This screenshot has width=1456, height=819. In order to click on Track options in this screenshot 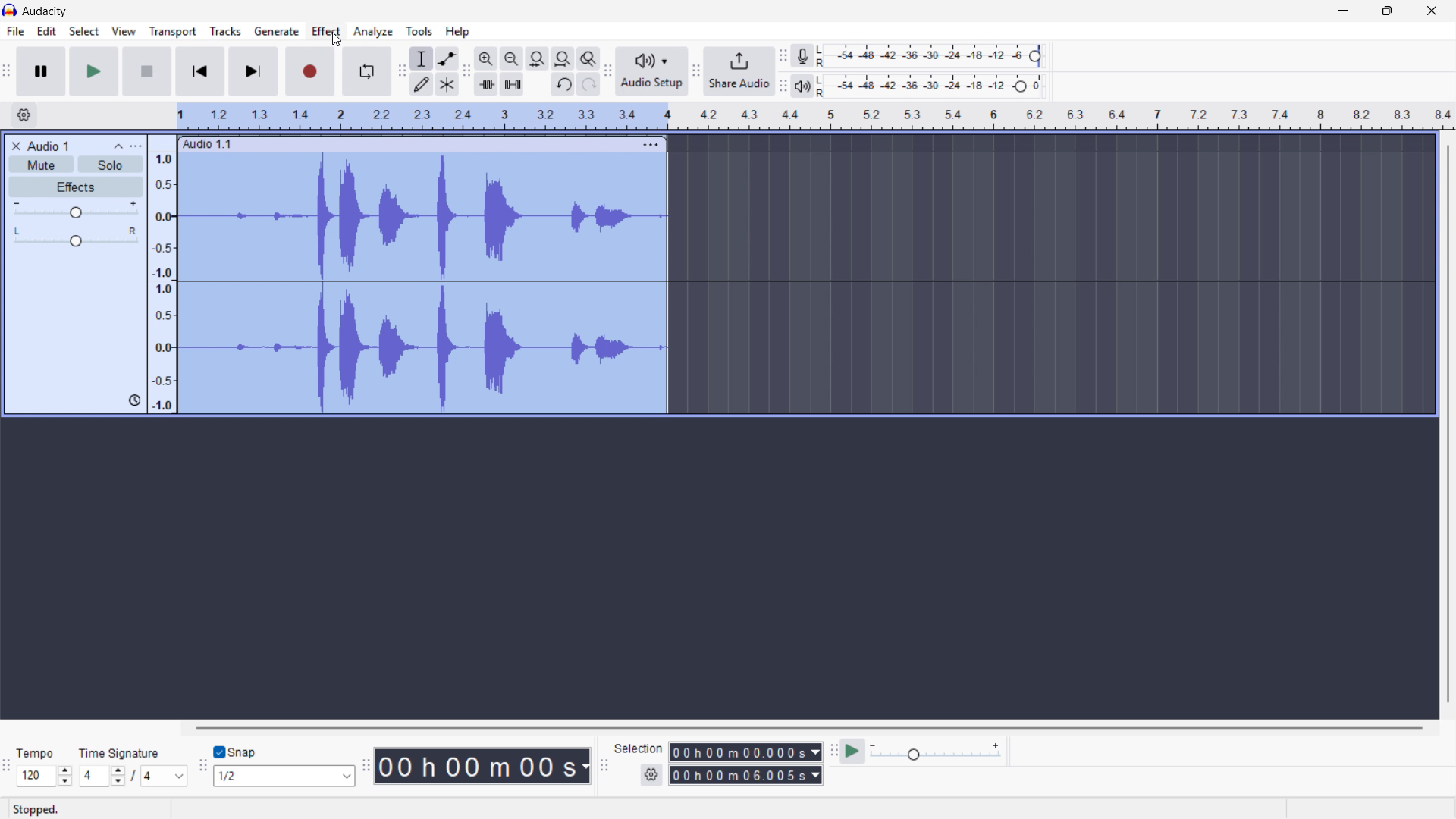, I will do `click(649, 143)`.